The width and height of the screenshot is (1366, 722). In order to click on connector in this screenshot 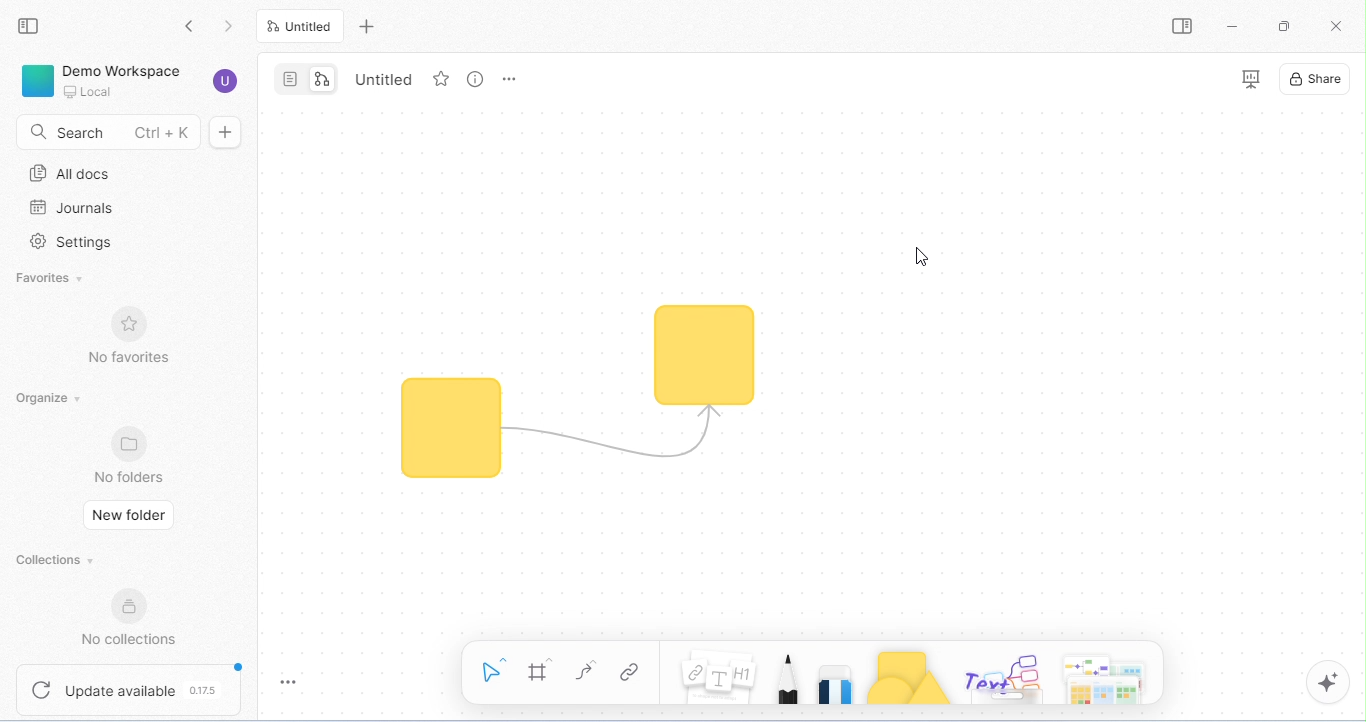, I will do `click(615, 438)`.